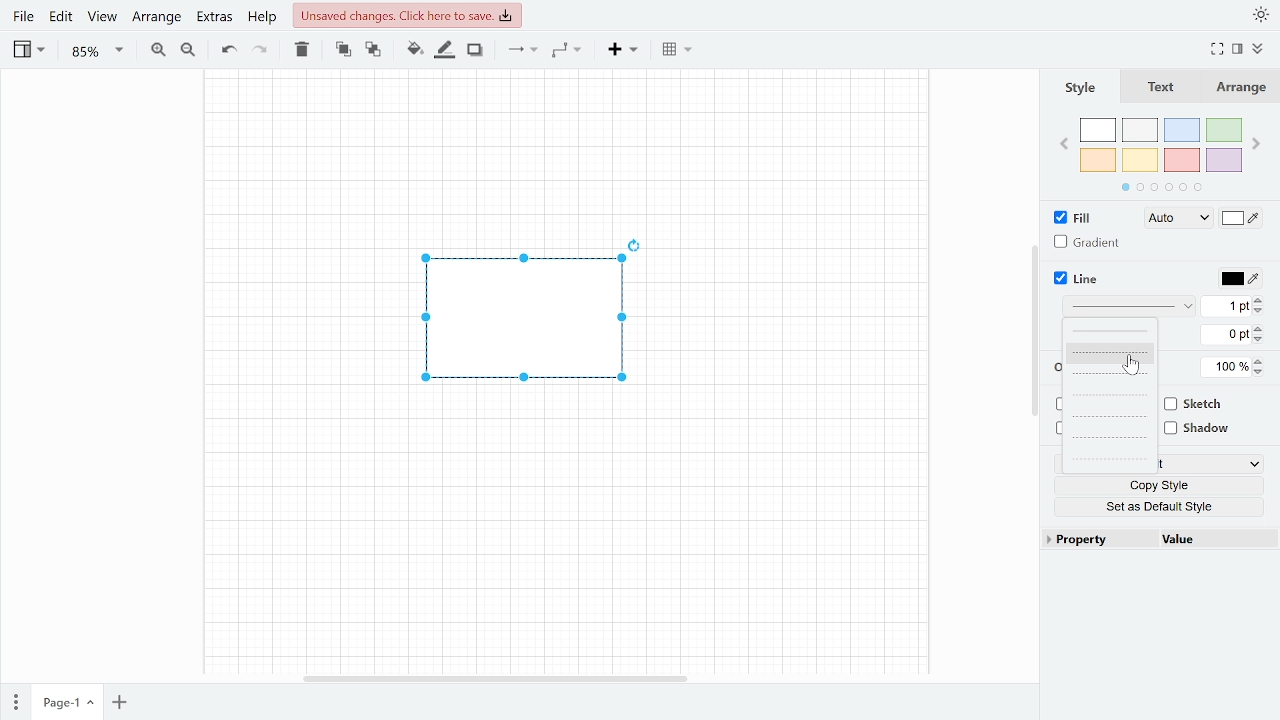  I want to click on Decrease perimeter, so click(1262, 340).